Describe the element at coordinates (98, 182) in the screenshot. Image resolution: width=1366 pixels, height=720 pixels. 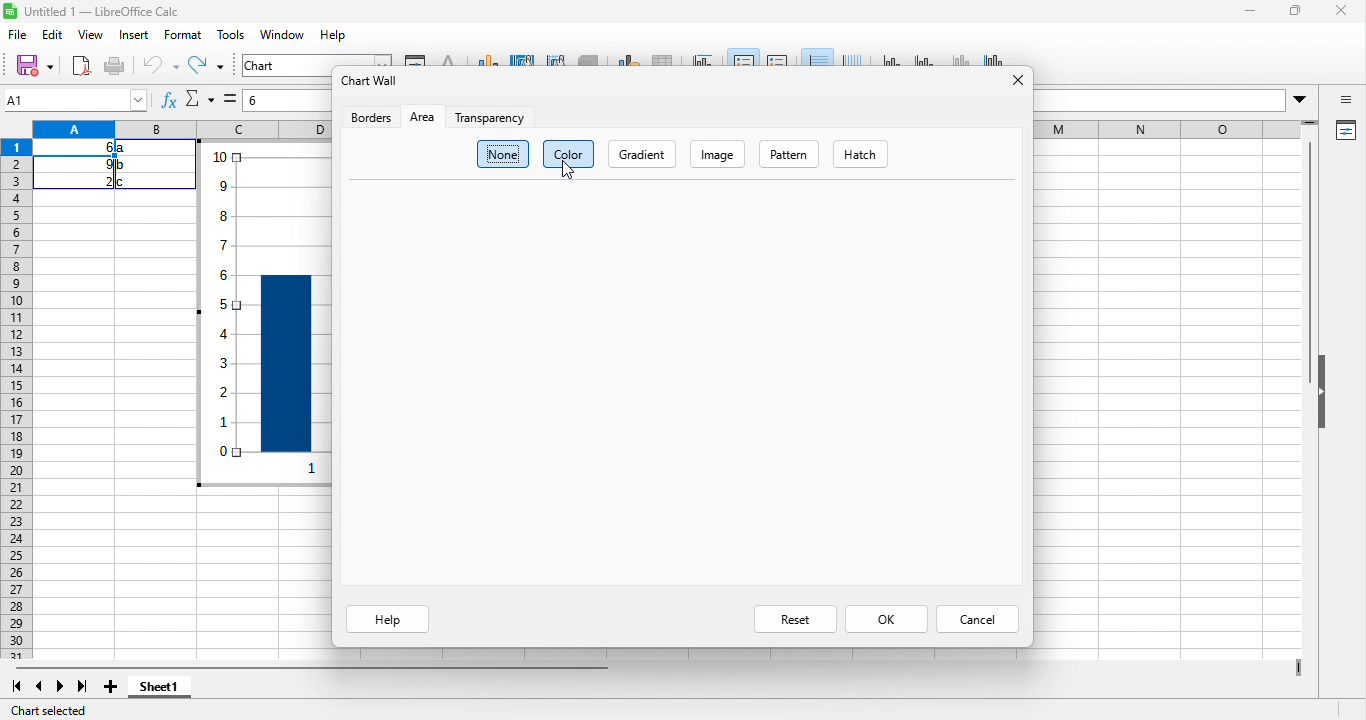
I see `2` at that location.